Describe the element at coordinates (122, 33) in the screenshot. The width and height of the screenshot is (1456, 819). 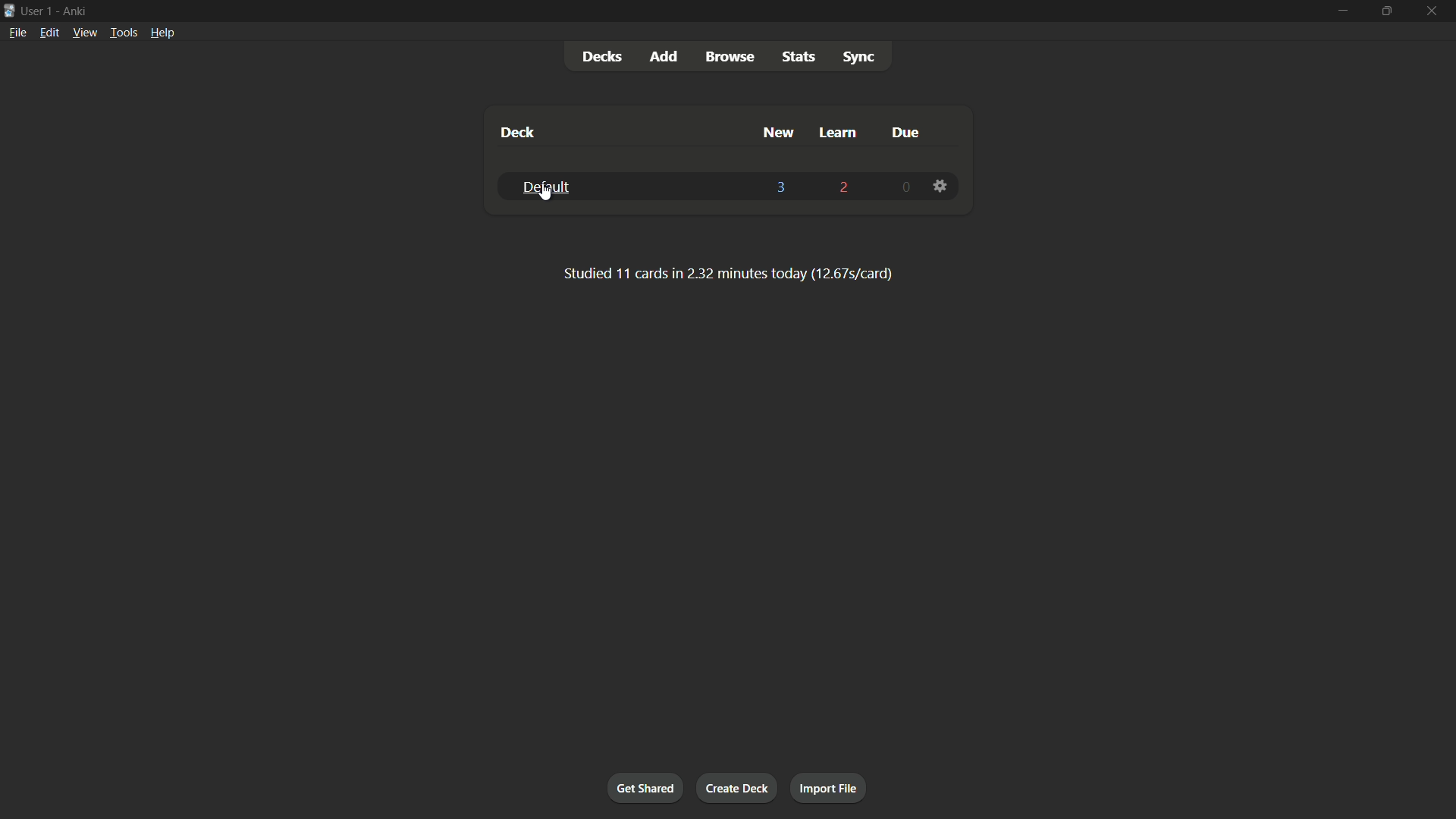
I see `tools menu` at that location.